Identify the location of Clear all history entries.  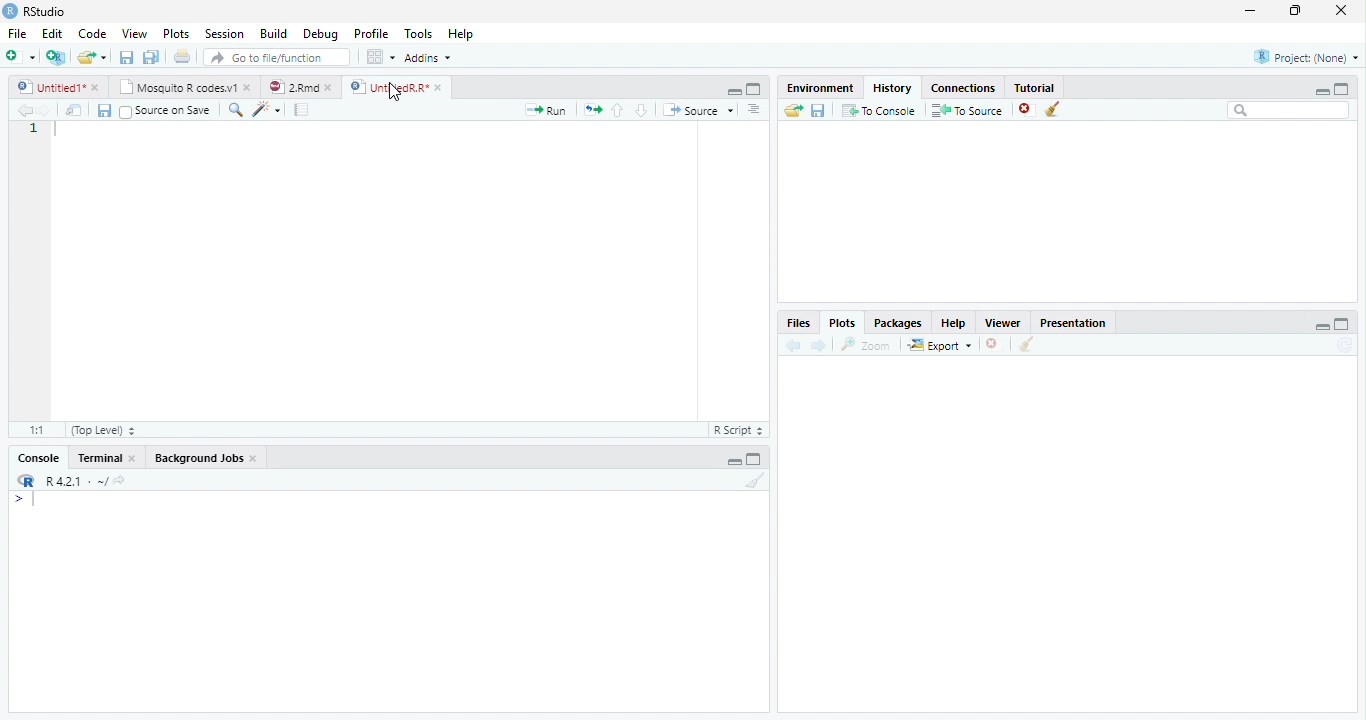
(1052, 109).